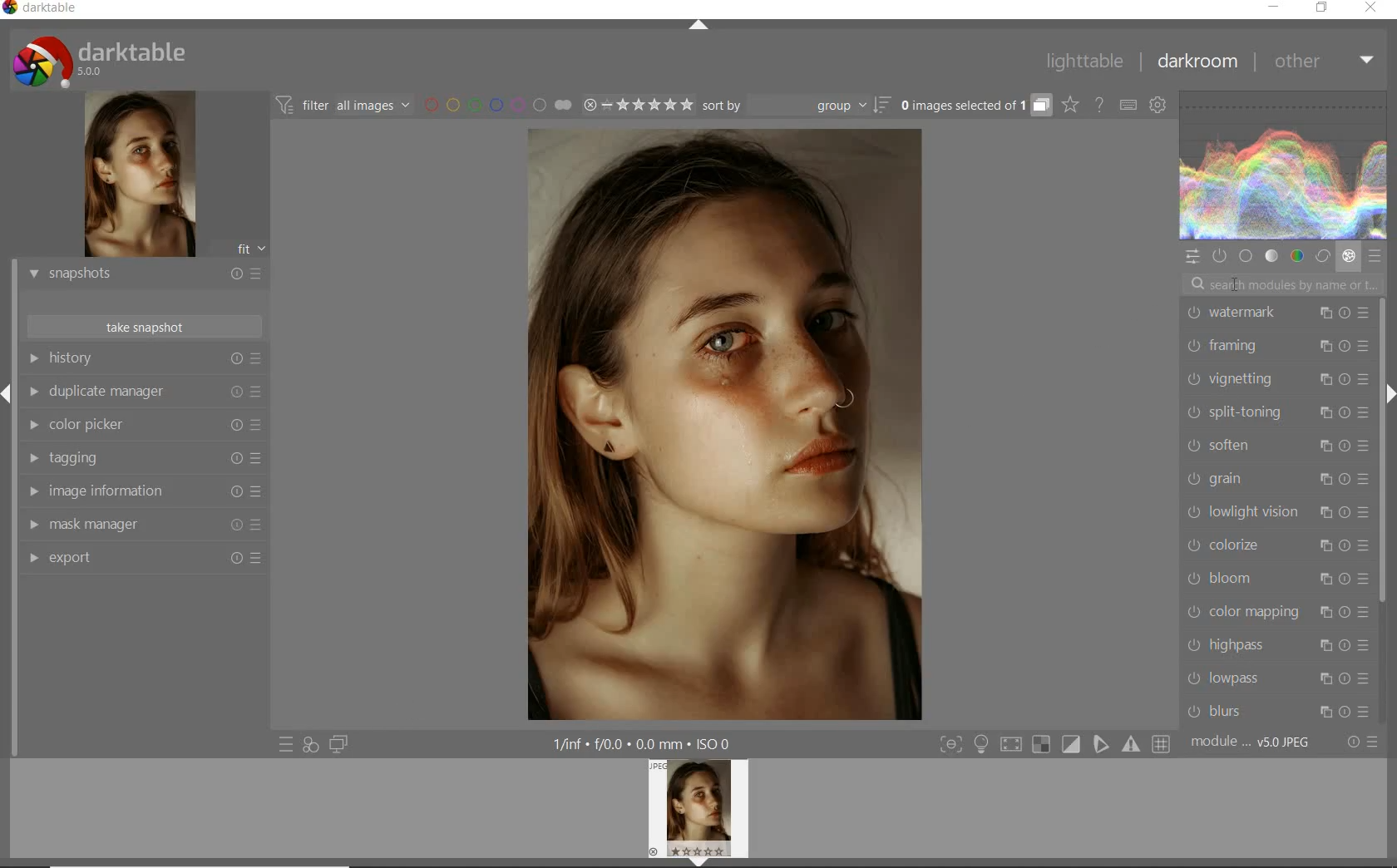 The height and width of the screenshot is (868, 1397). What do you see at coordinates (1321, 60) in the screenshot?
I see `other` at bounding box center [1321, 60].